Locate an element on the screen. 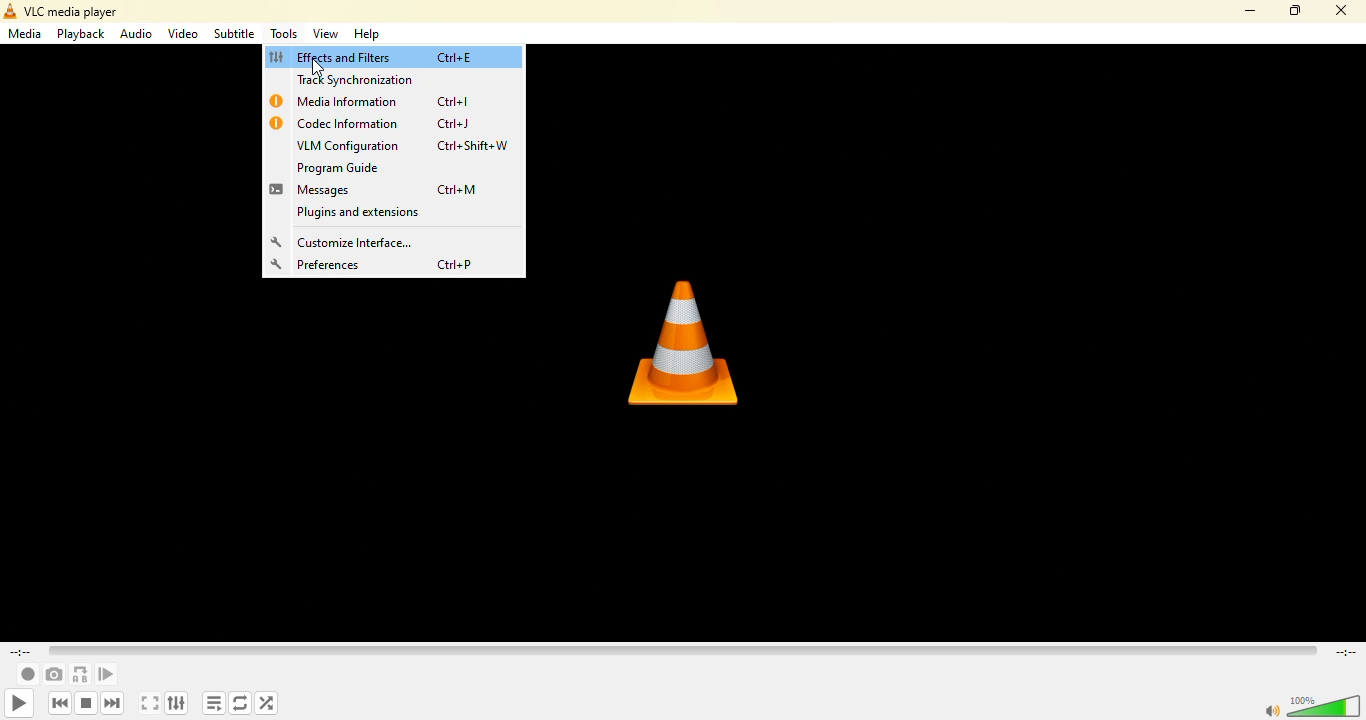  ctrl+j is located at coordinates (457, 124).